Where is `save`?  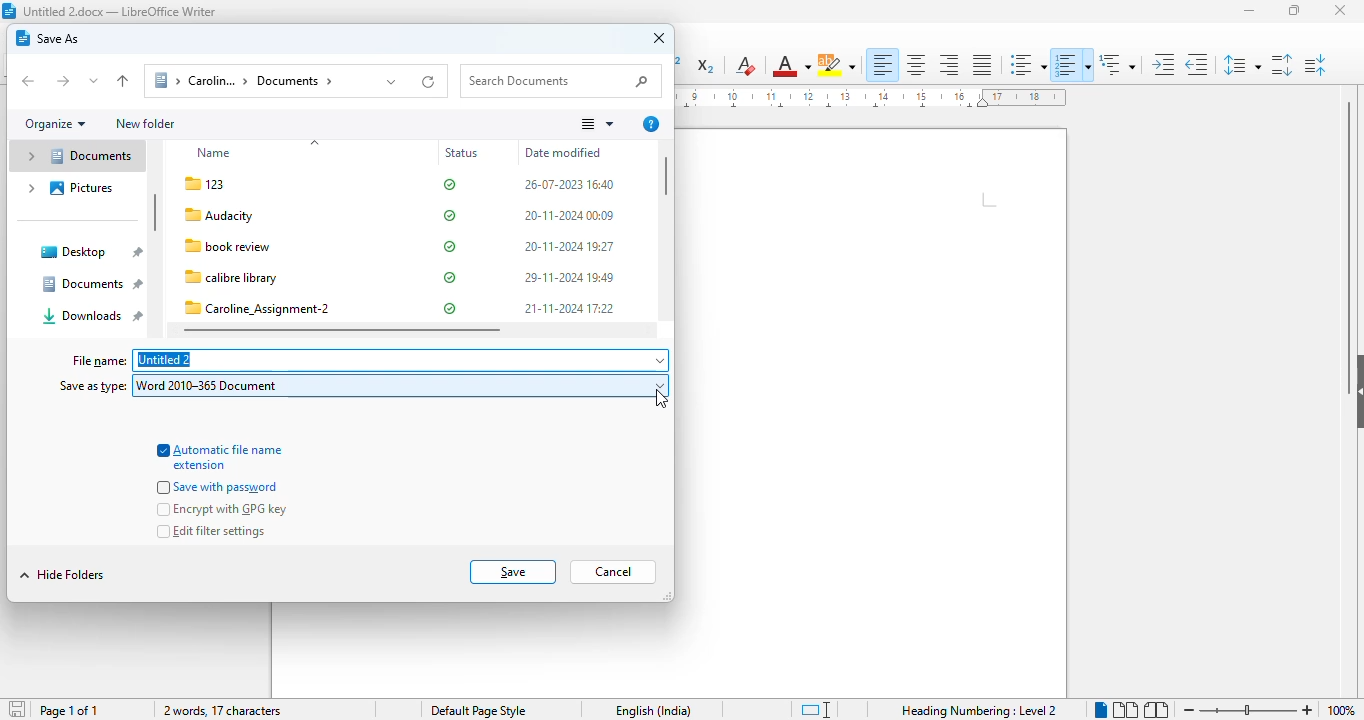 save is located at coordinates (513, 571).